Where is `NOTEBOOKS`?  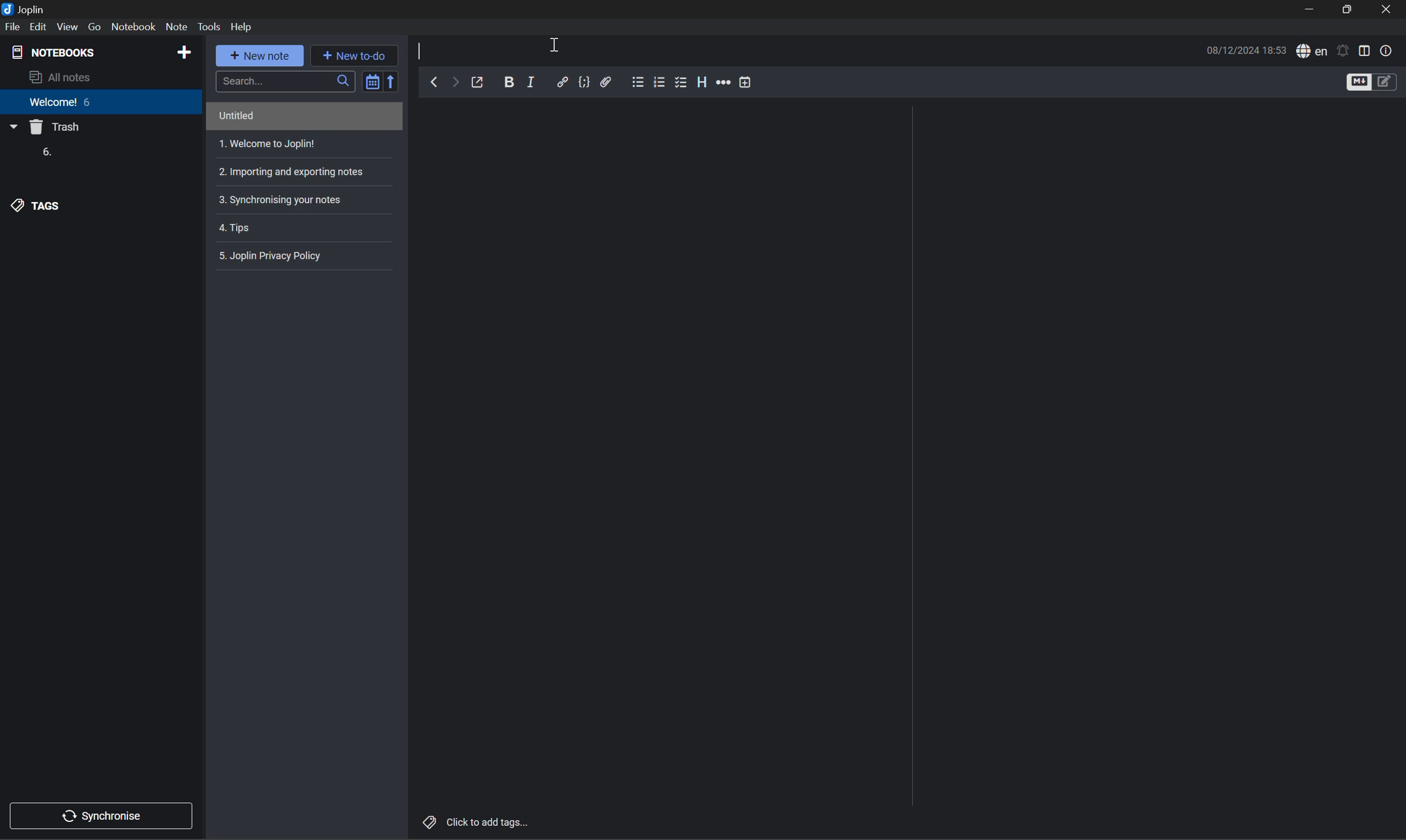
NOTEBOOKS is located at coordinates (55, 50).